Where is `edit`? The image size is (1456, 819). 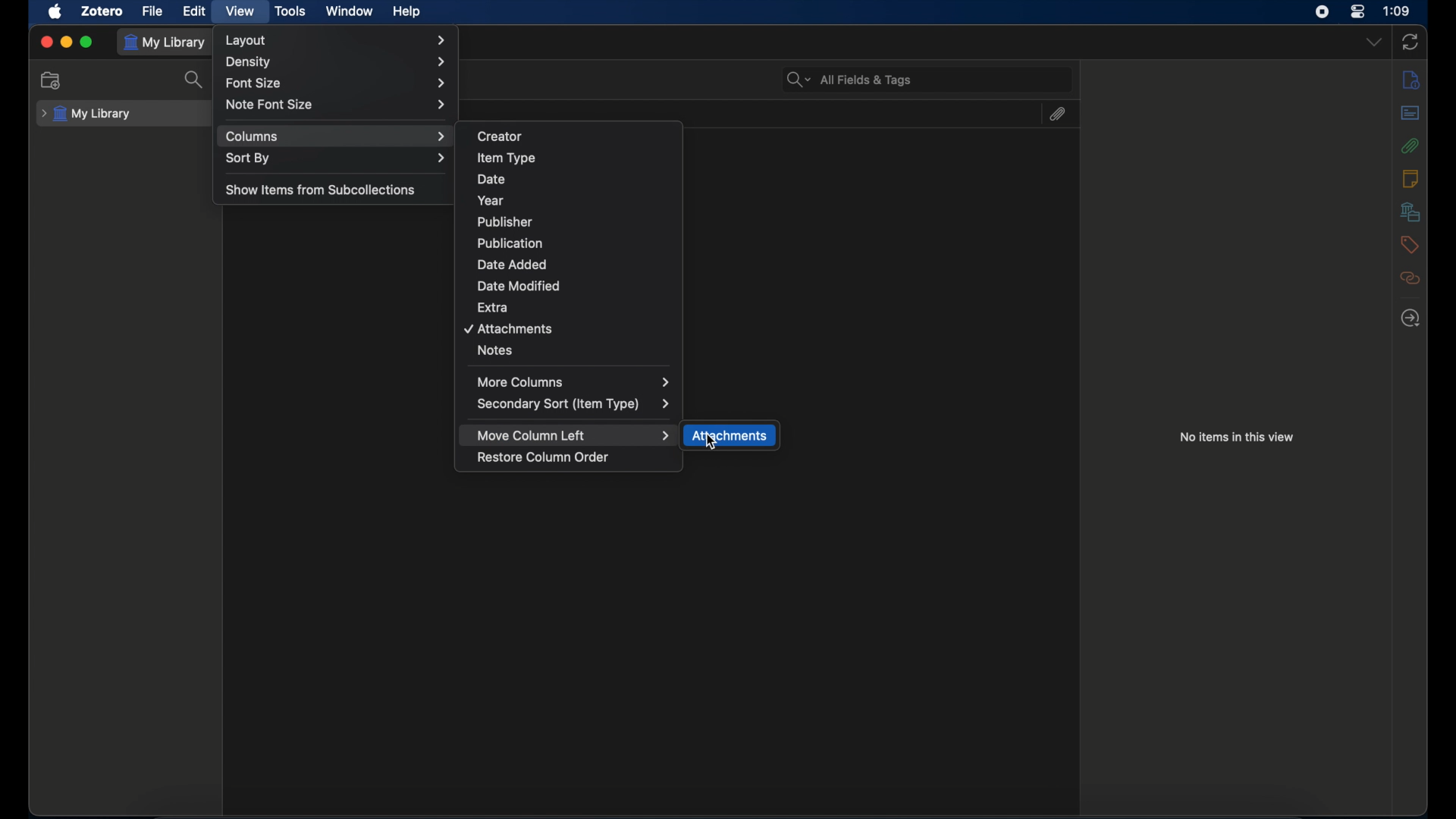
edit is located at coordinates (196, 11).